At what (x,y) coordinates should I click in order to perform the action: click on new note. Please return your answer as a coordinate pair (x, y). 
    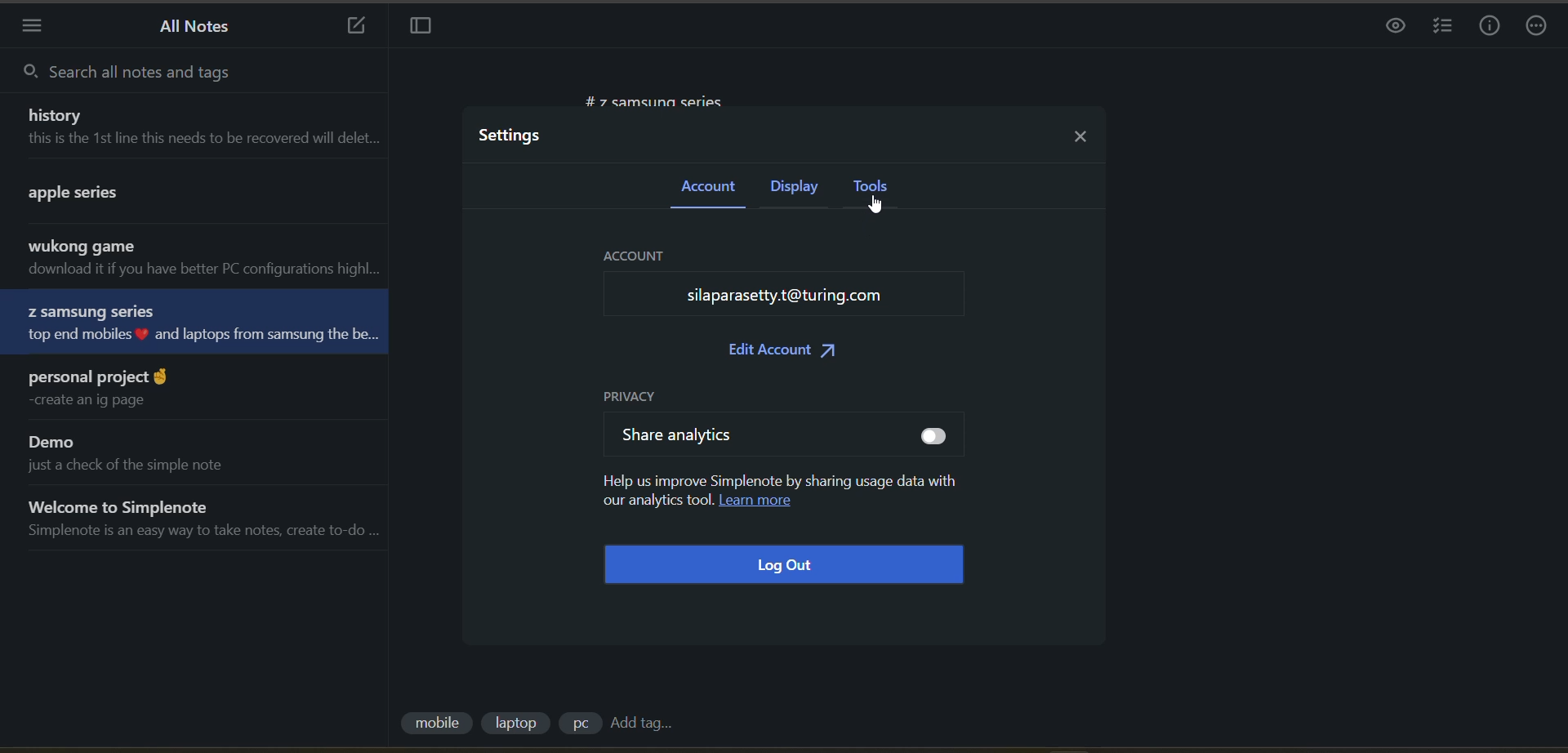
    Looking at the image, I should click on (356, 27).